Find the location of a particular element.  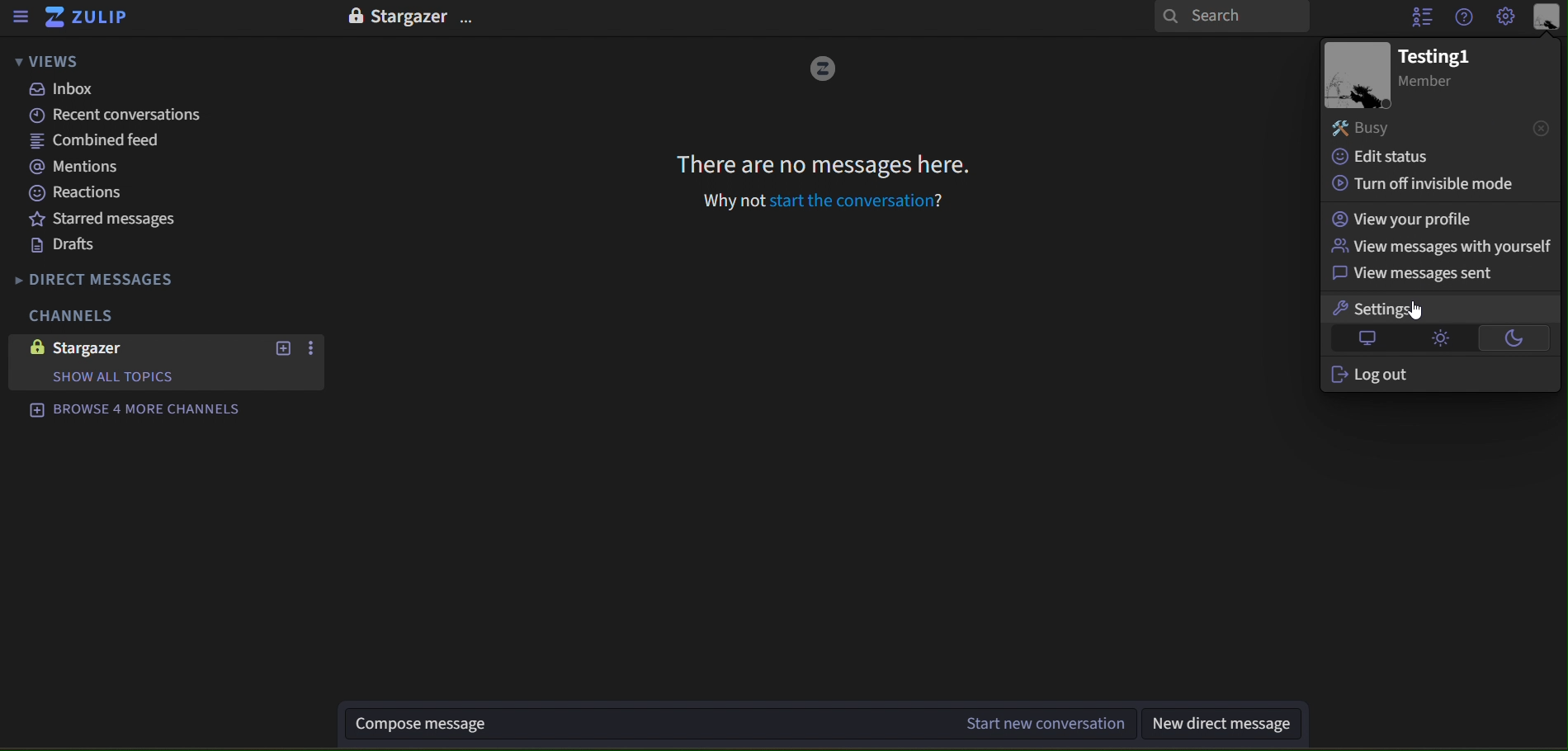

 is located at coordinates (1512, 337).